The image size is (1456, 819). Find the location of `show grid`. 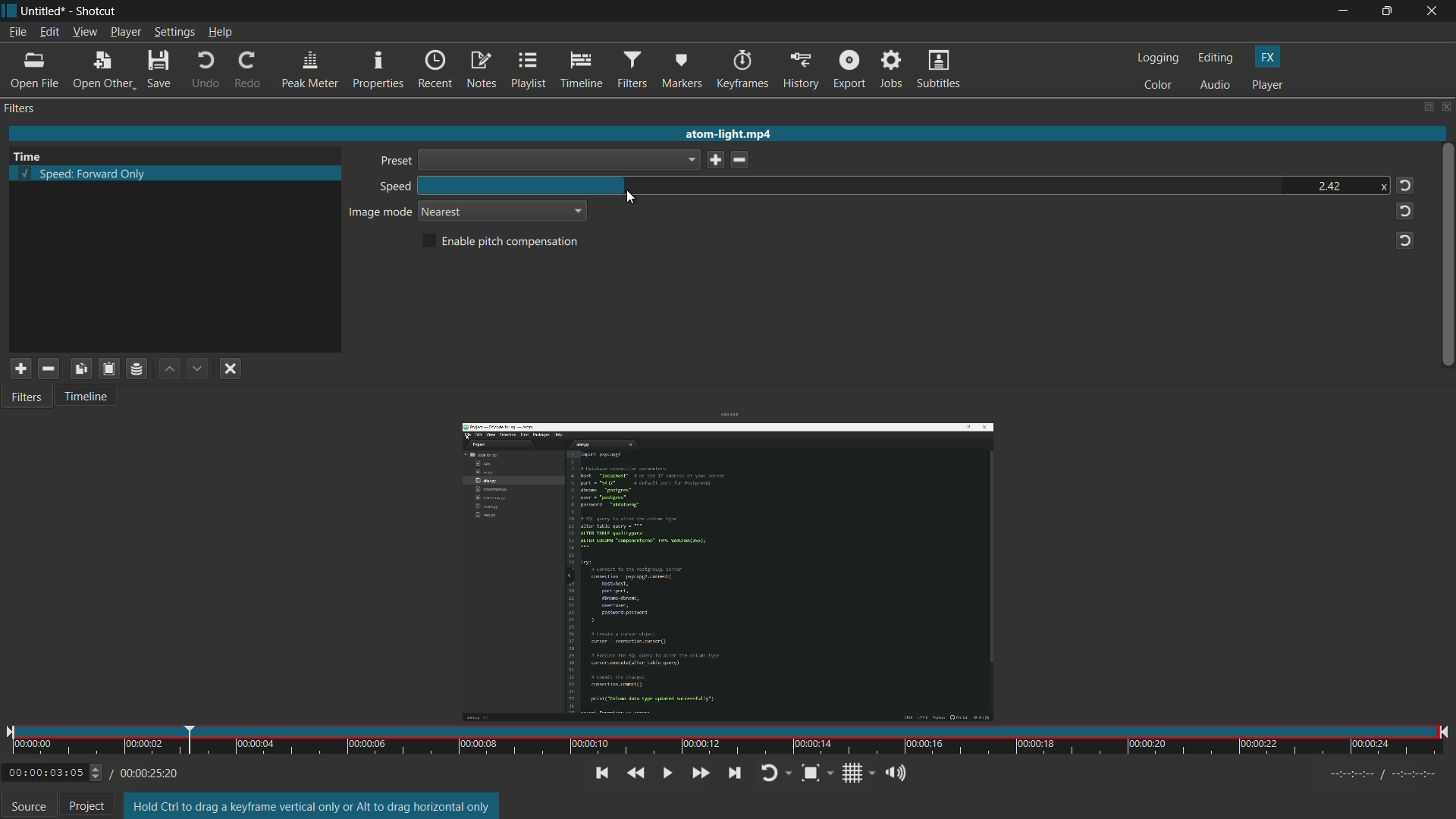

show grid is located at coordinates (858, 773).